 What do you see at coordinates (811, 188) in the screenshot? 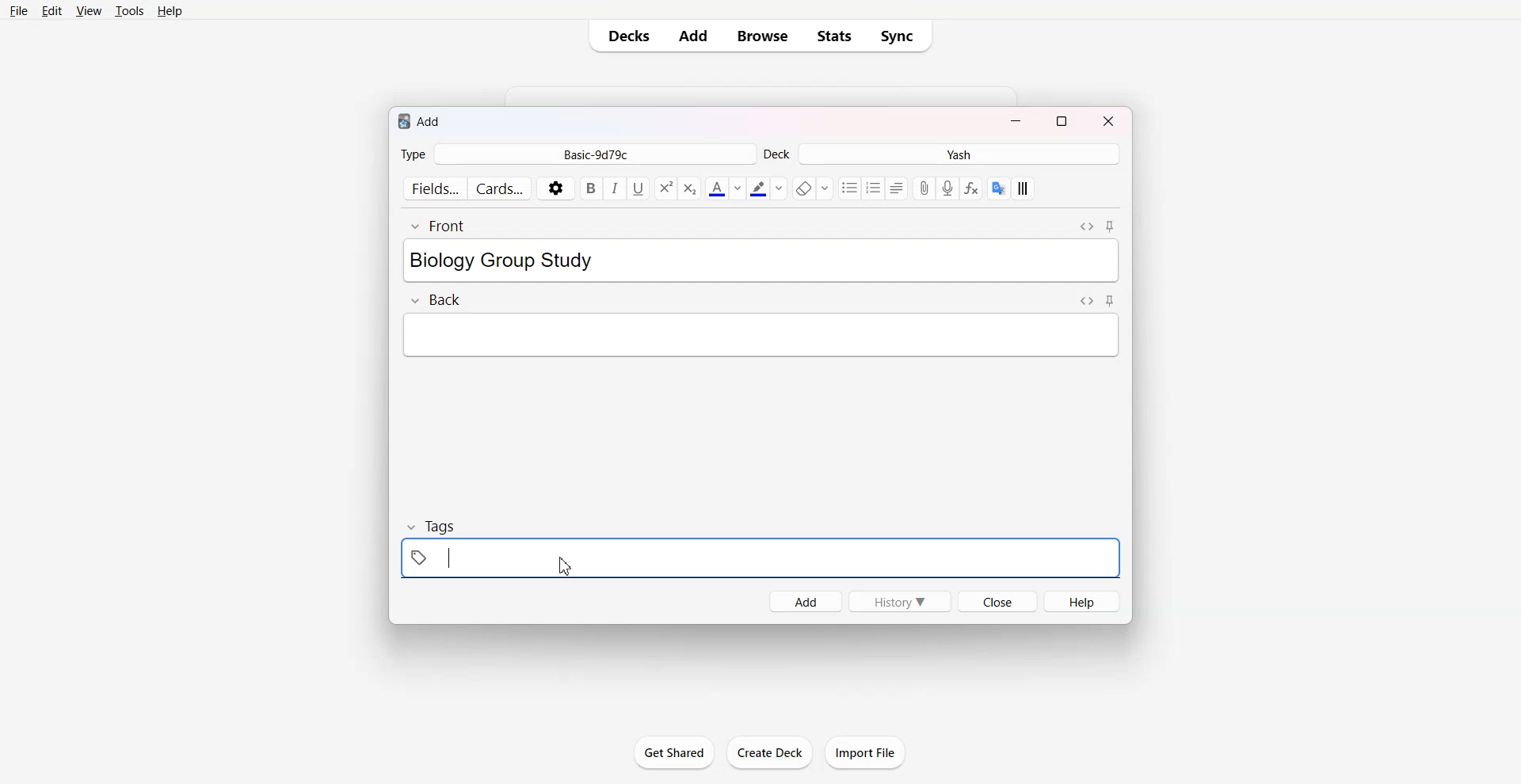
I see `Remove Format` at bounding box center [811, 188].